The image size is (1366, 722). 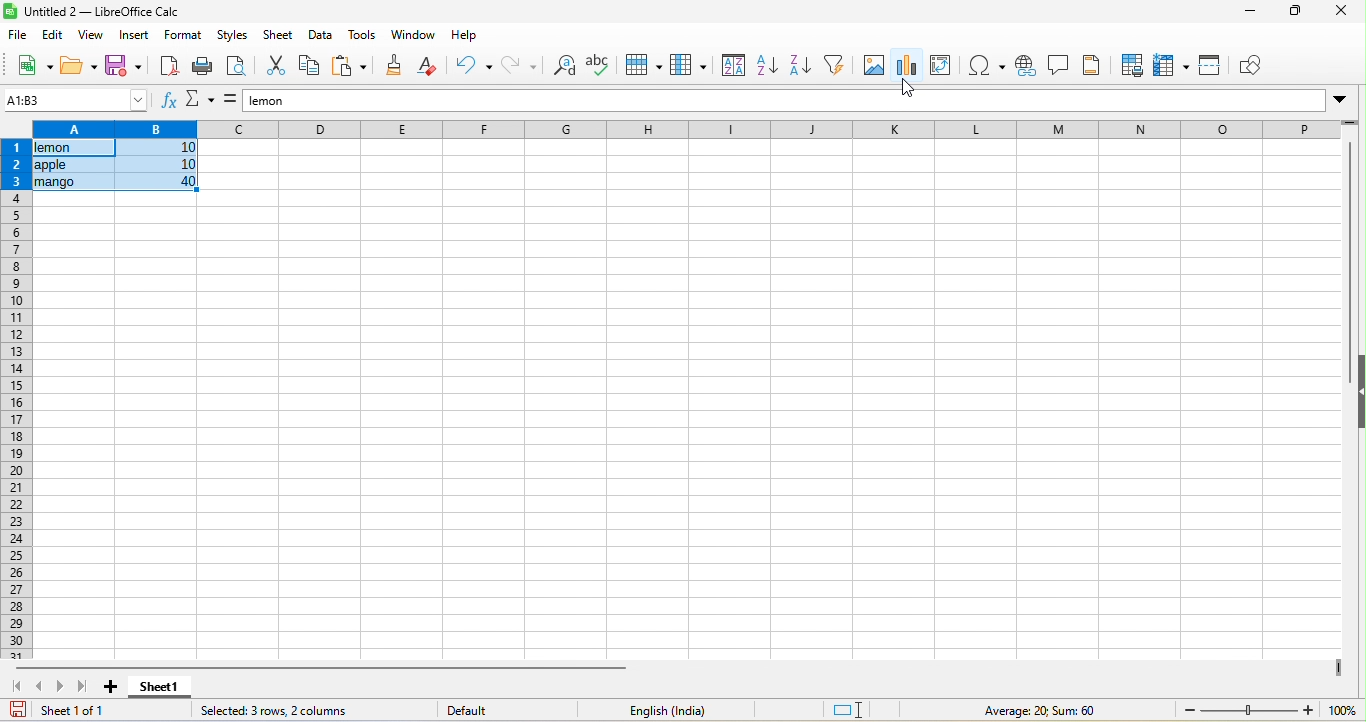 What do you see at coordinates (235, 67) in the screenshot?
I see `print preview` at bounding box center [235, 67].